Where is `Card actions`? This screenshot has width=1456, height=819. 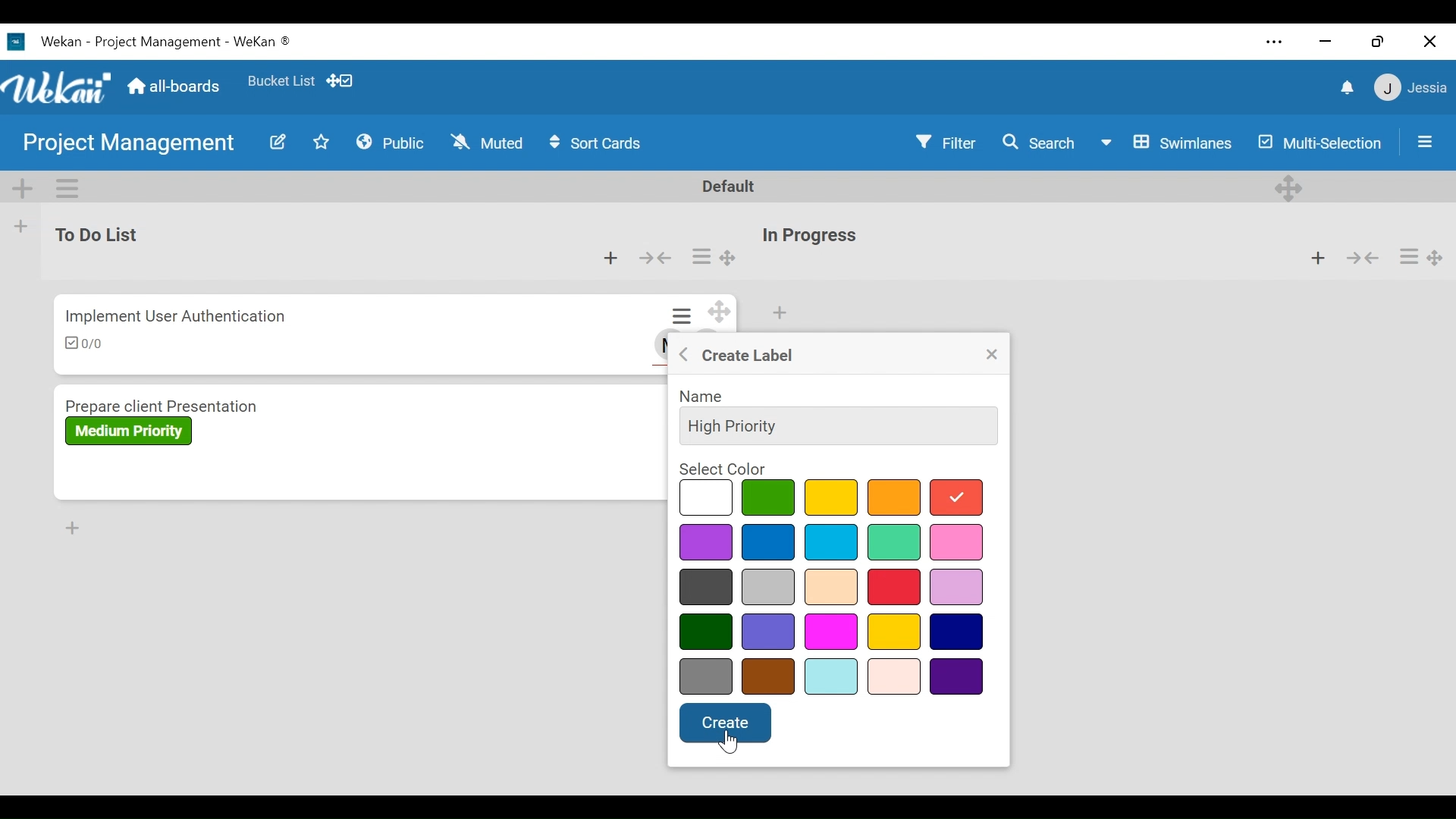 Card actions is located at coordinates (700, 257).